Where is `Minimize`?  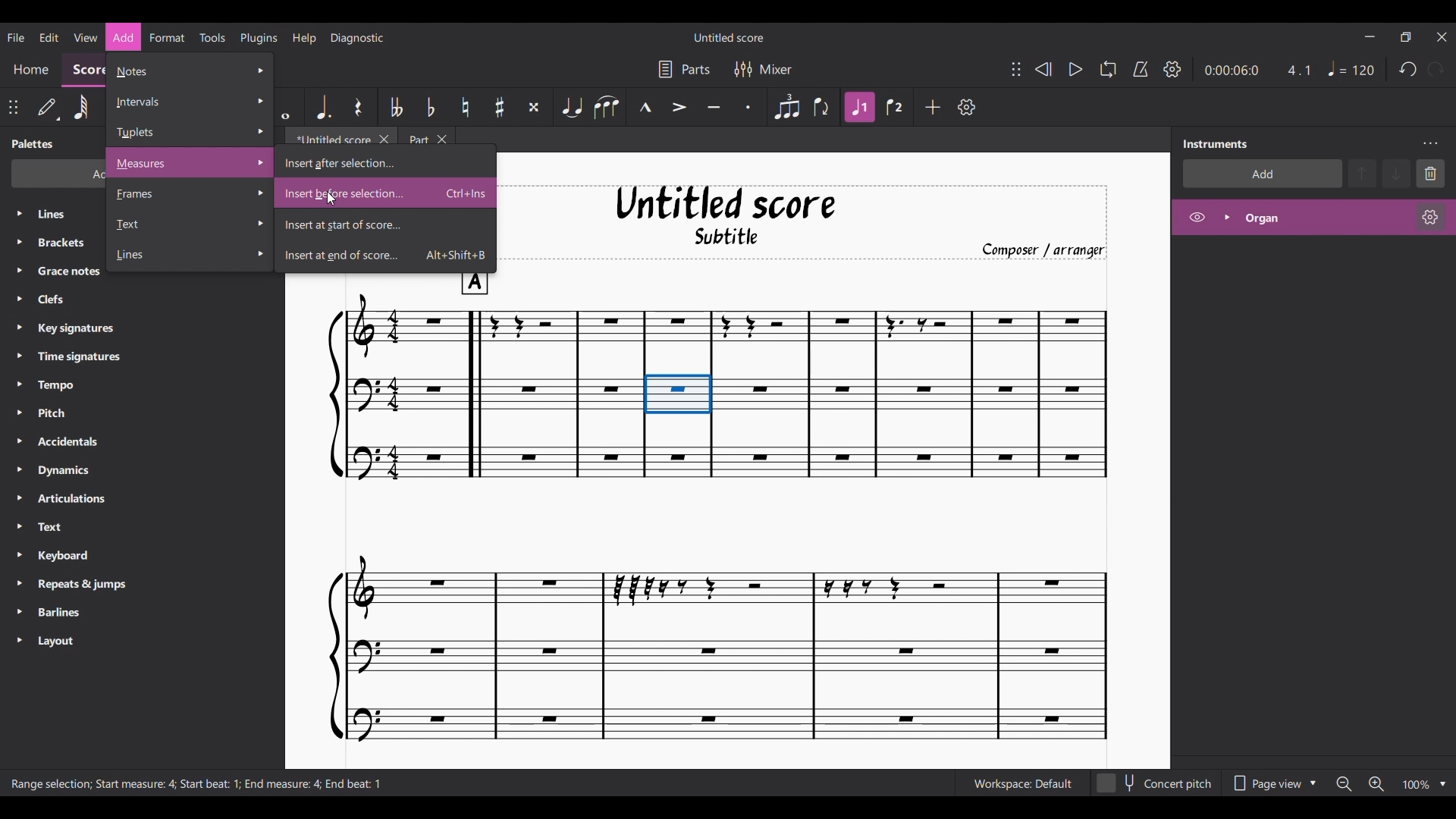 Minimize is located at coordinates (1370, 36).